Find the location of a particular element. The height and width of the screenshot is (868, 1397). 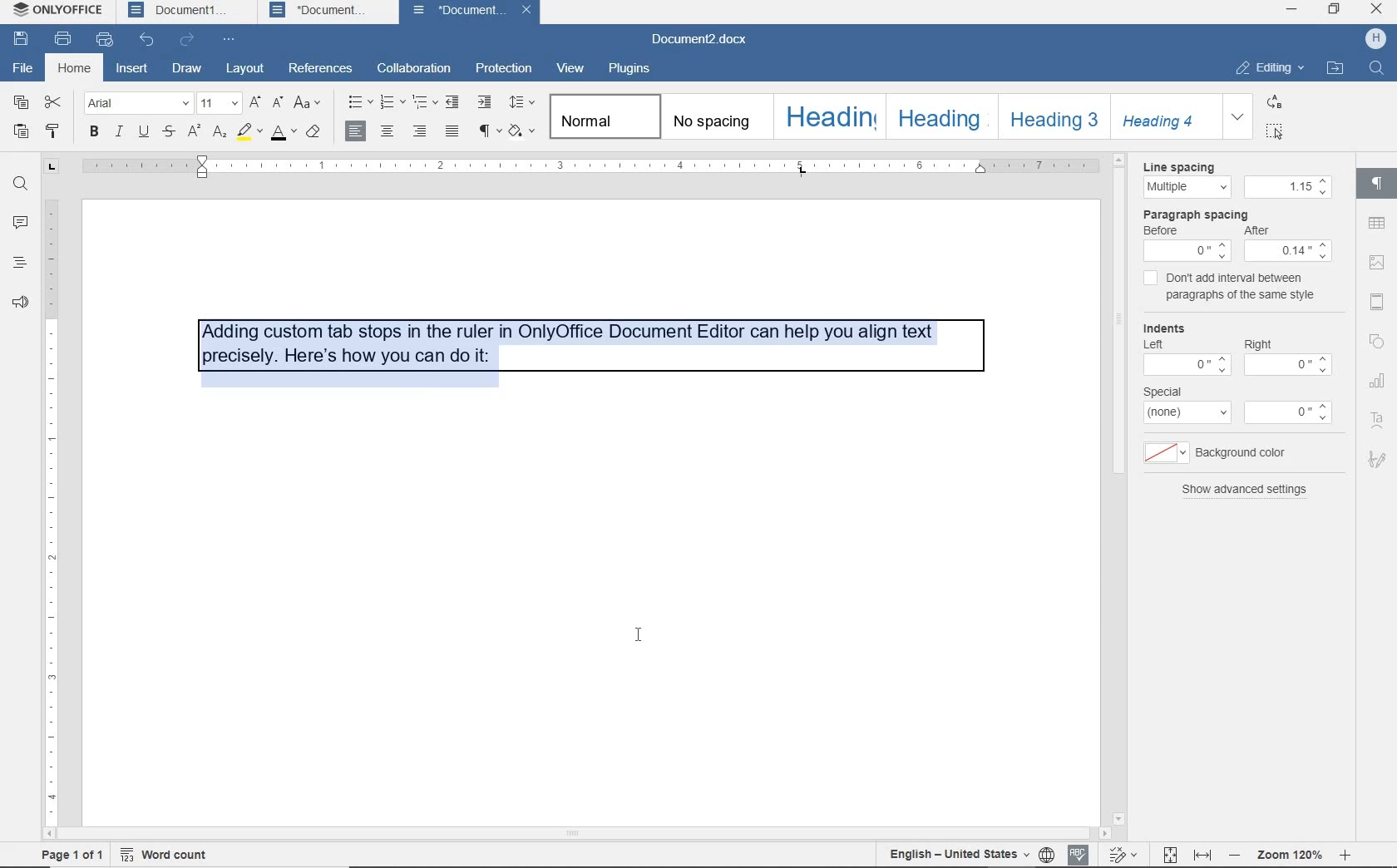

protection is located at coordinates (502, 69).